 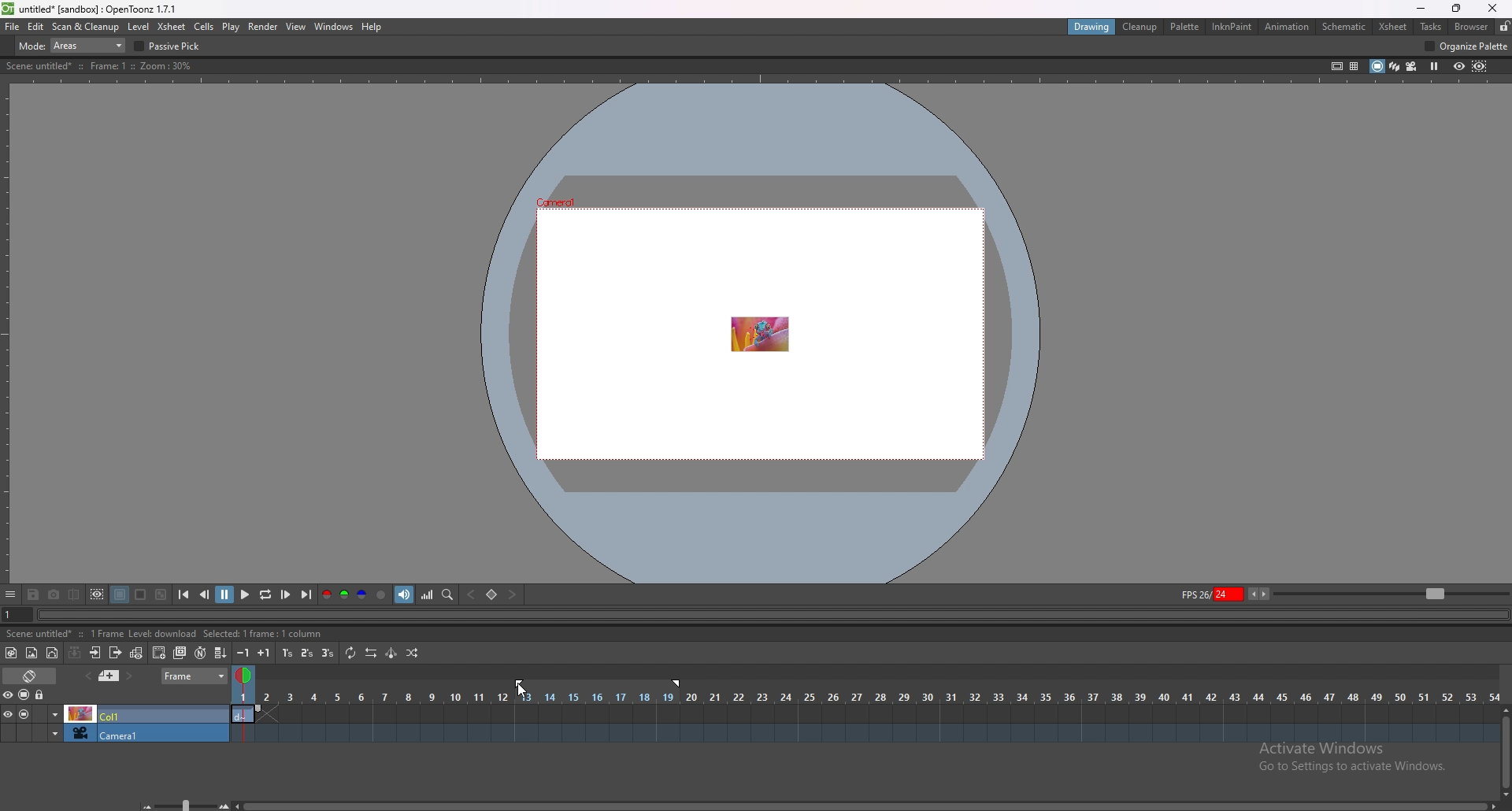 I want to click on current frame, so click(x=13, y=617).